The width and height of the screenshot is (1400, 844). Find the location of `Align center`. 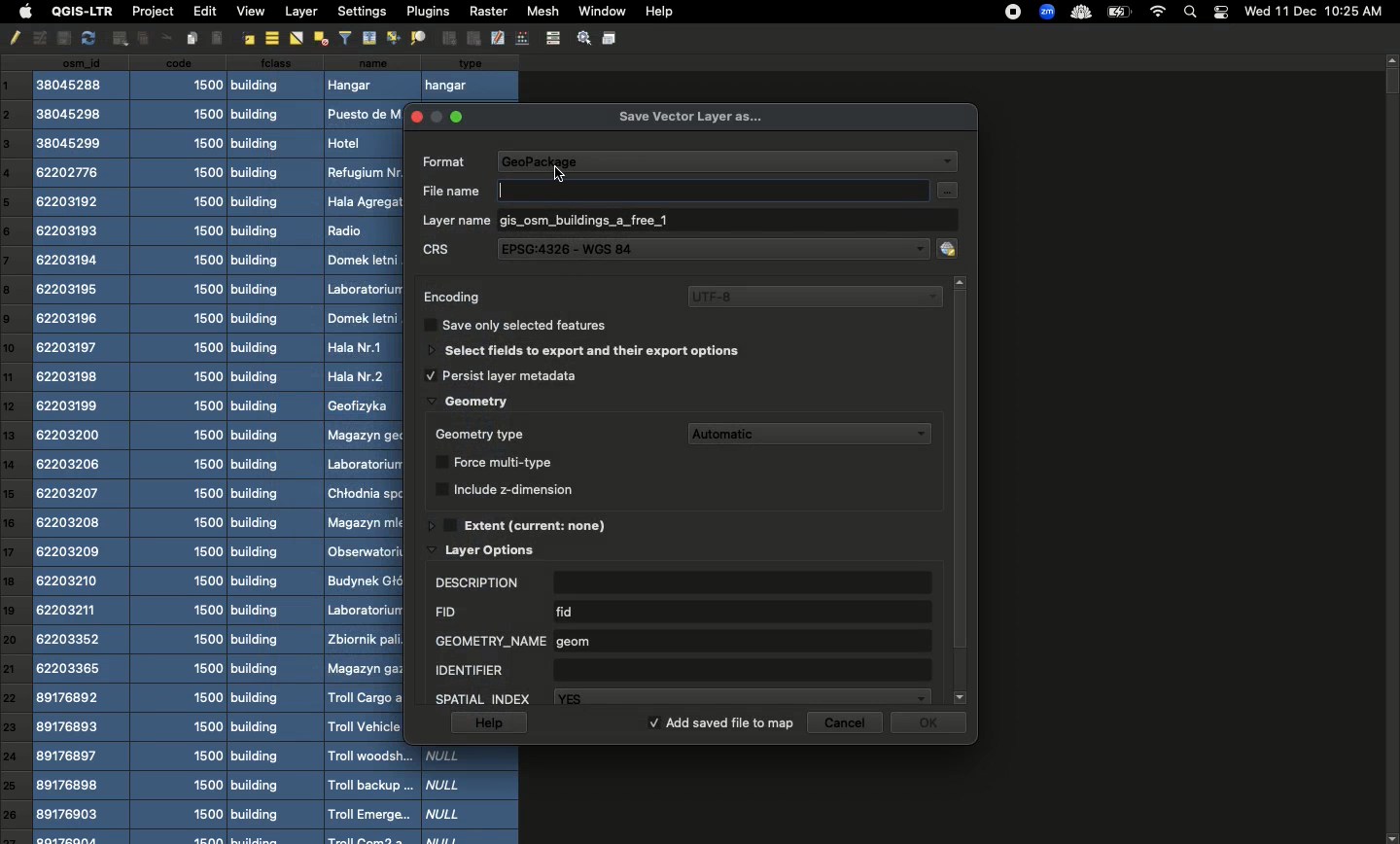

Align center is located at coordinates (270, 38).